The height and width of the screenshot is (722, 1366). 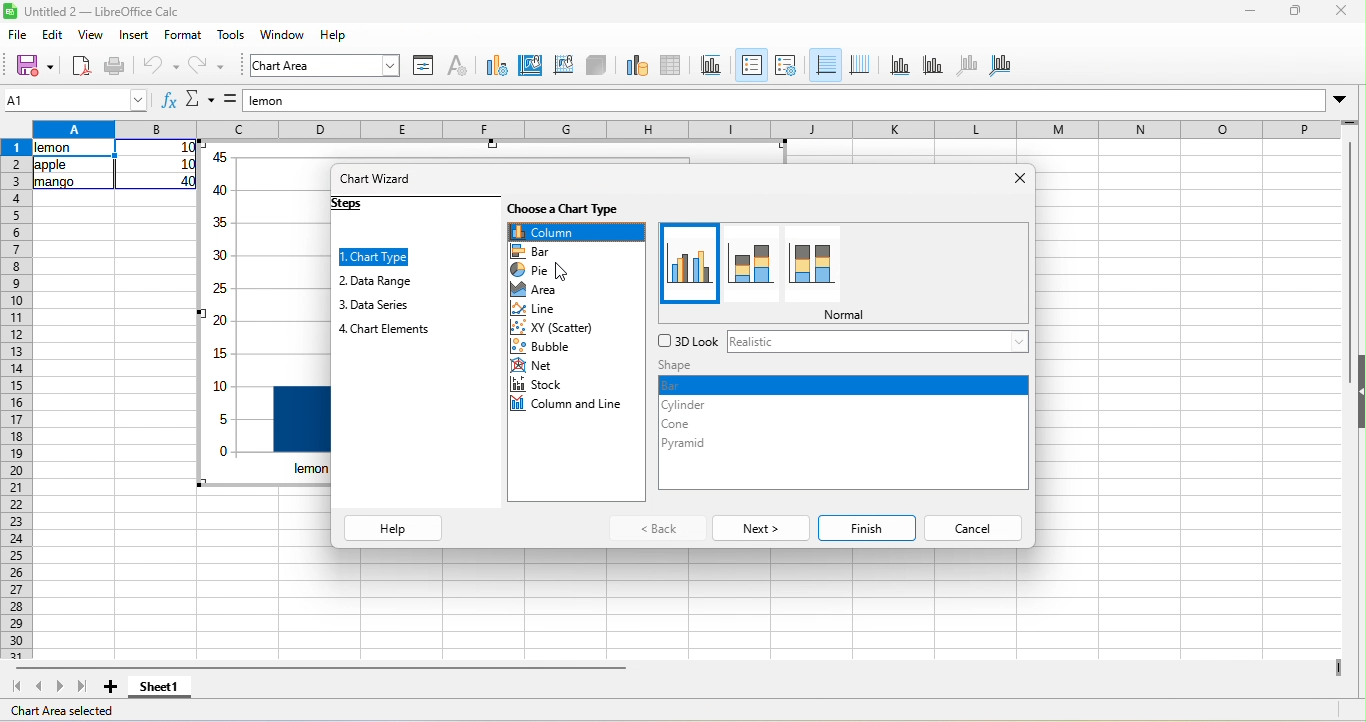 What do you see at coordinates (11, 12) in the screenshot?
I see `logo` at bounding box center [11, 12].